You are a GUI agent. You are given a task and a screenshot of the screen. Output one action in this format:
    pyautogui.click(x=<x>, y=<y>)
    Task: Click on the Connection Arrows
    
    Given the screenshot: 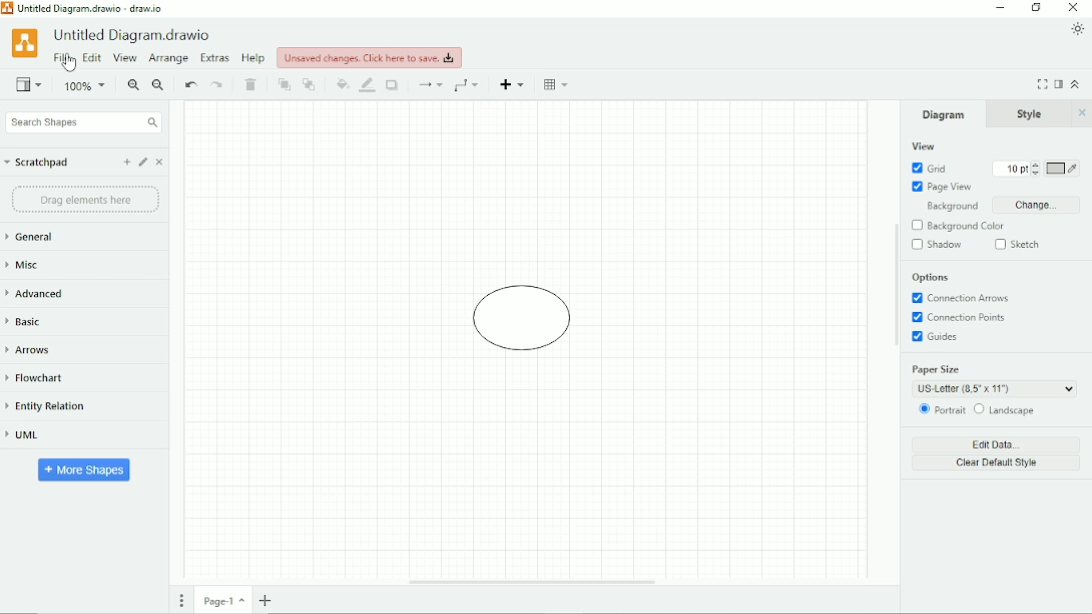 What is the action you would take?
    pyautogui.click(x=960, y=297)
    